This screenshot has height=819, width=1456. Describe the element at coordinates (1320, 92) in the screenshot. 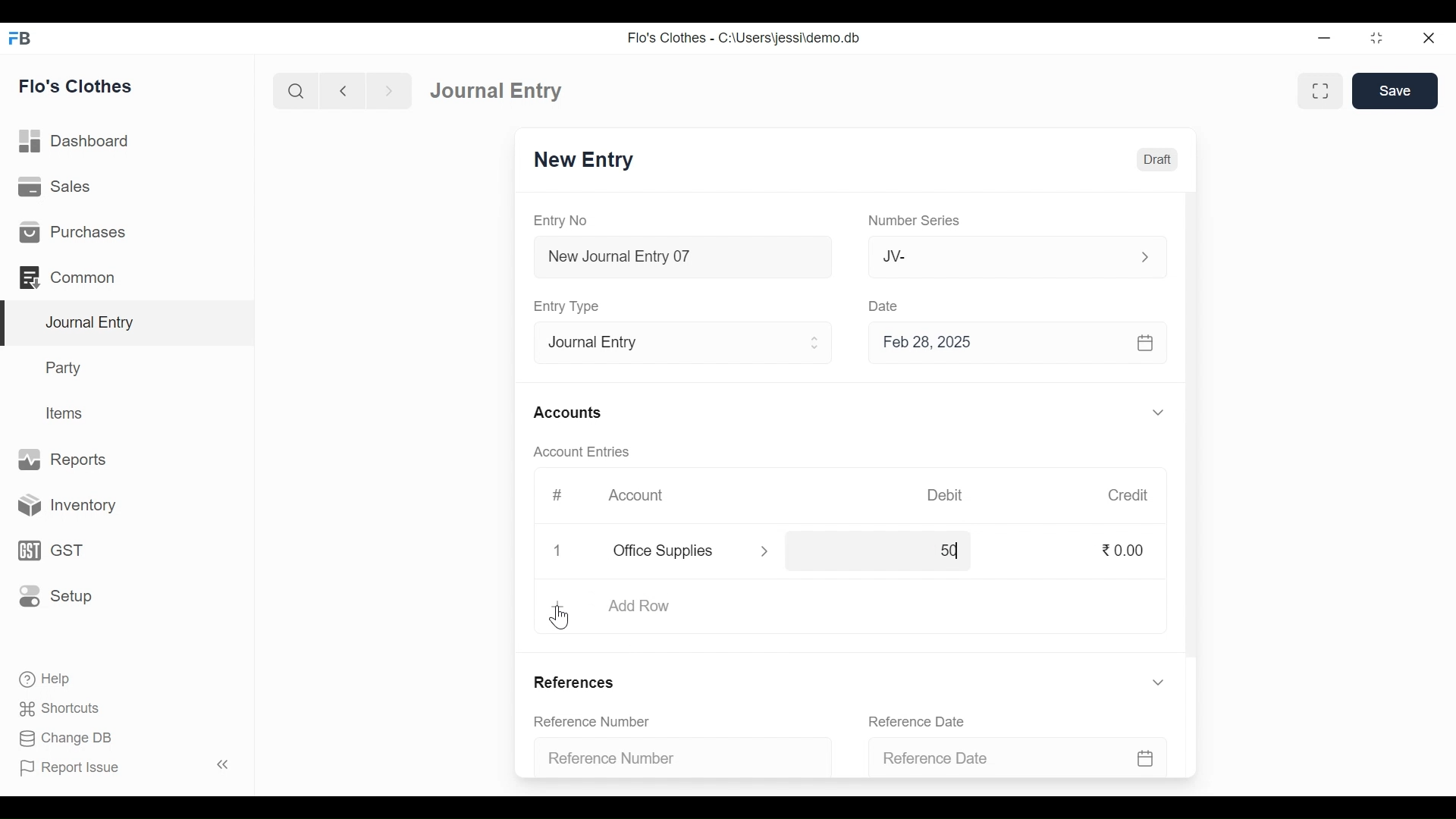

I see `Toggle form and full width` at that location.